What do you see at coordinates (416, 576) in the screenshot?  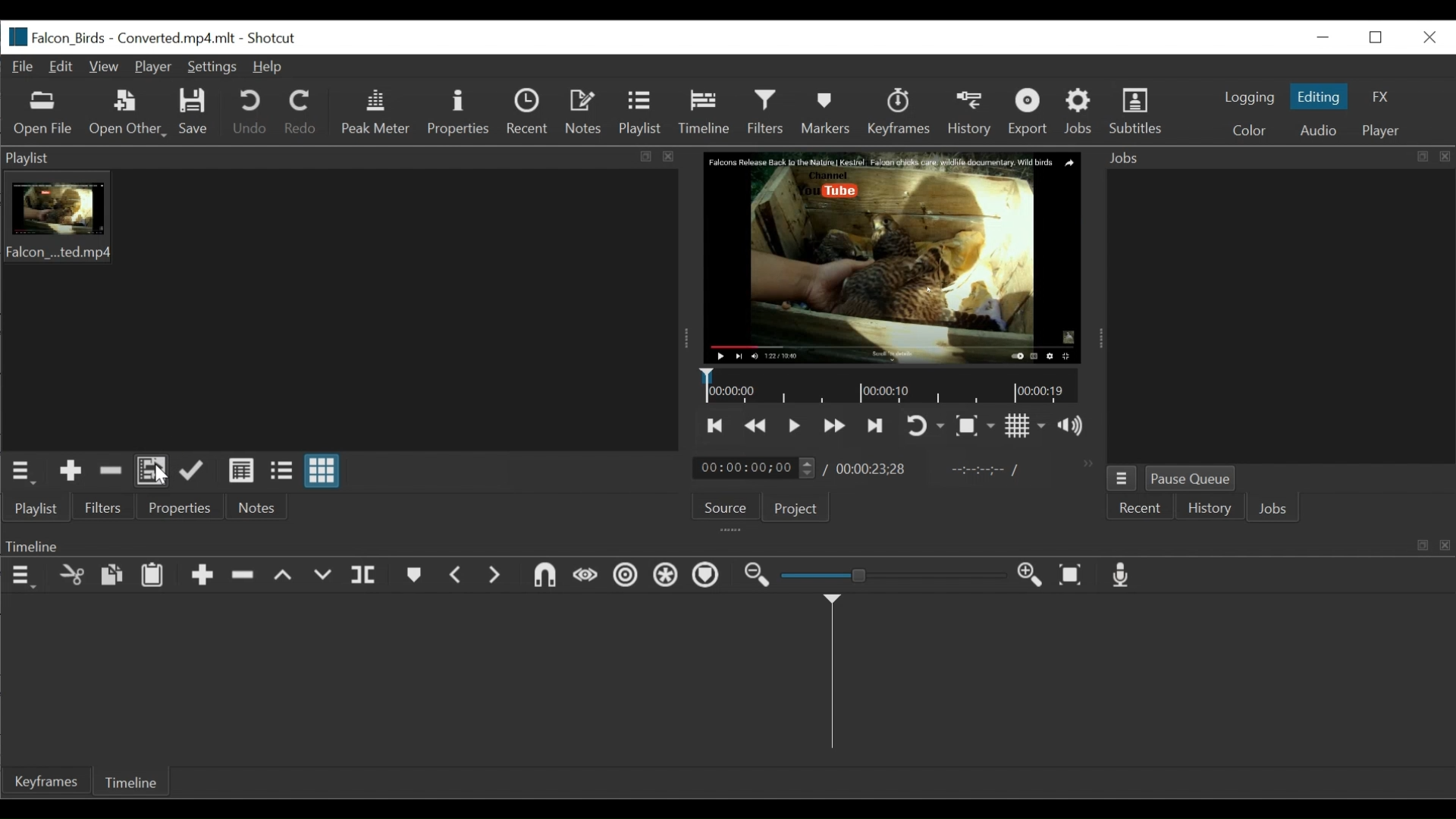 I see `Markers` at bounding box center [416, 576].